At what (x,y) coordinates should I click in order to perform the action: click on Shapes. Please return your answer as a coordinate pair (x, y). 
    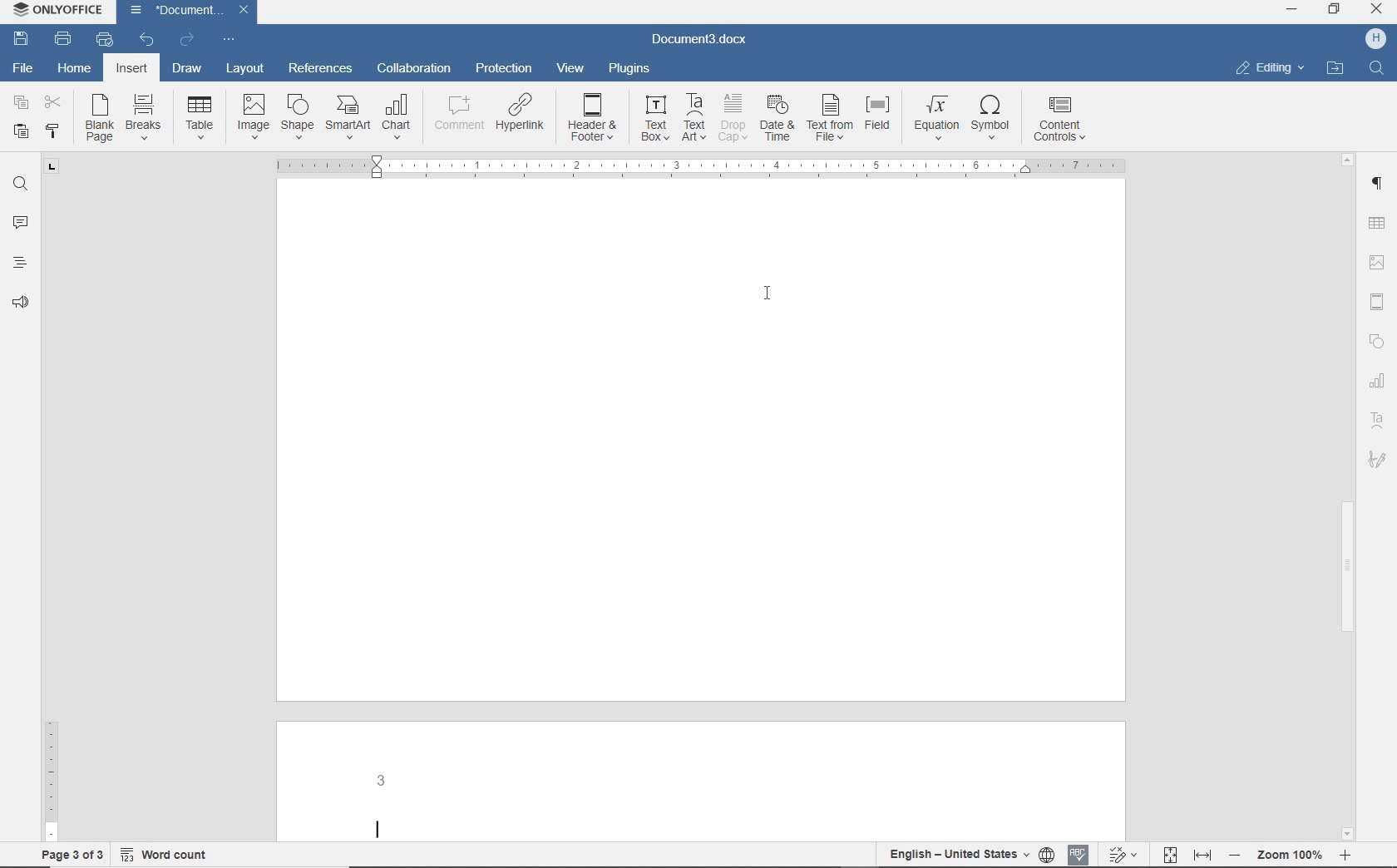
    Looking at the image, I should click on (1381, 343).